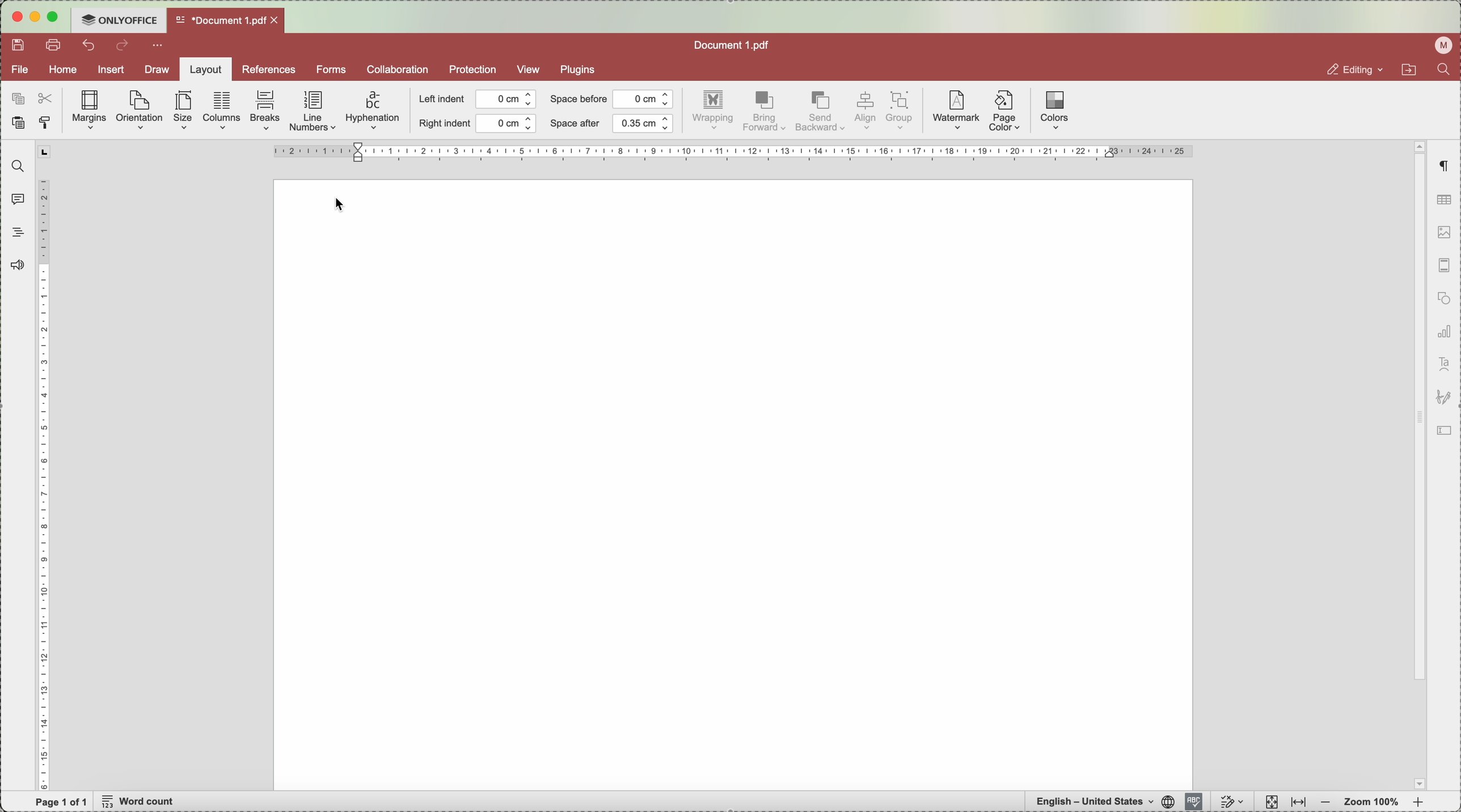 Image resolution: width=1461 pixels, height=812 pixels. Describe the element at coordinates (715, 112) in the screenshot. I see `wrapping` at that location.